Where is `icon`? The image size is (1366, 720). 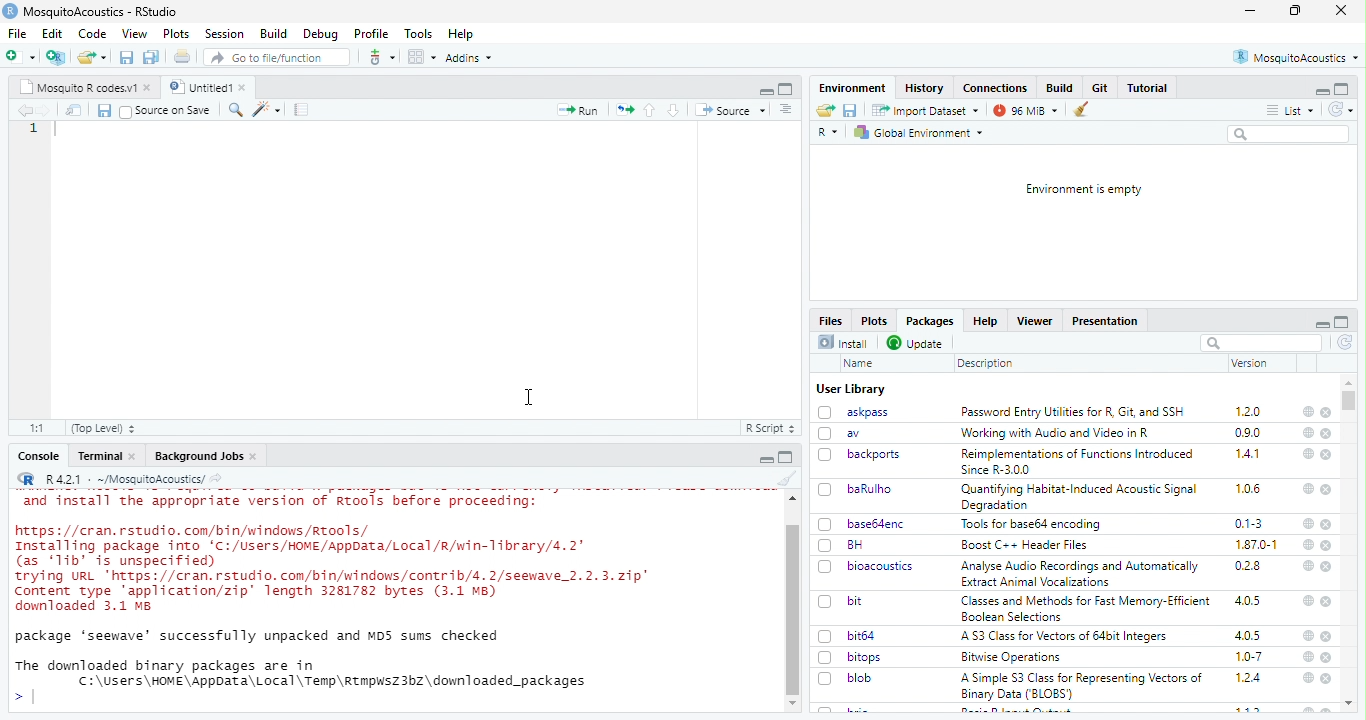 icon is located at coordinates (624, 111).